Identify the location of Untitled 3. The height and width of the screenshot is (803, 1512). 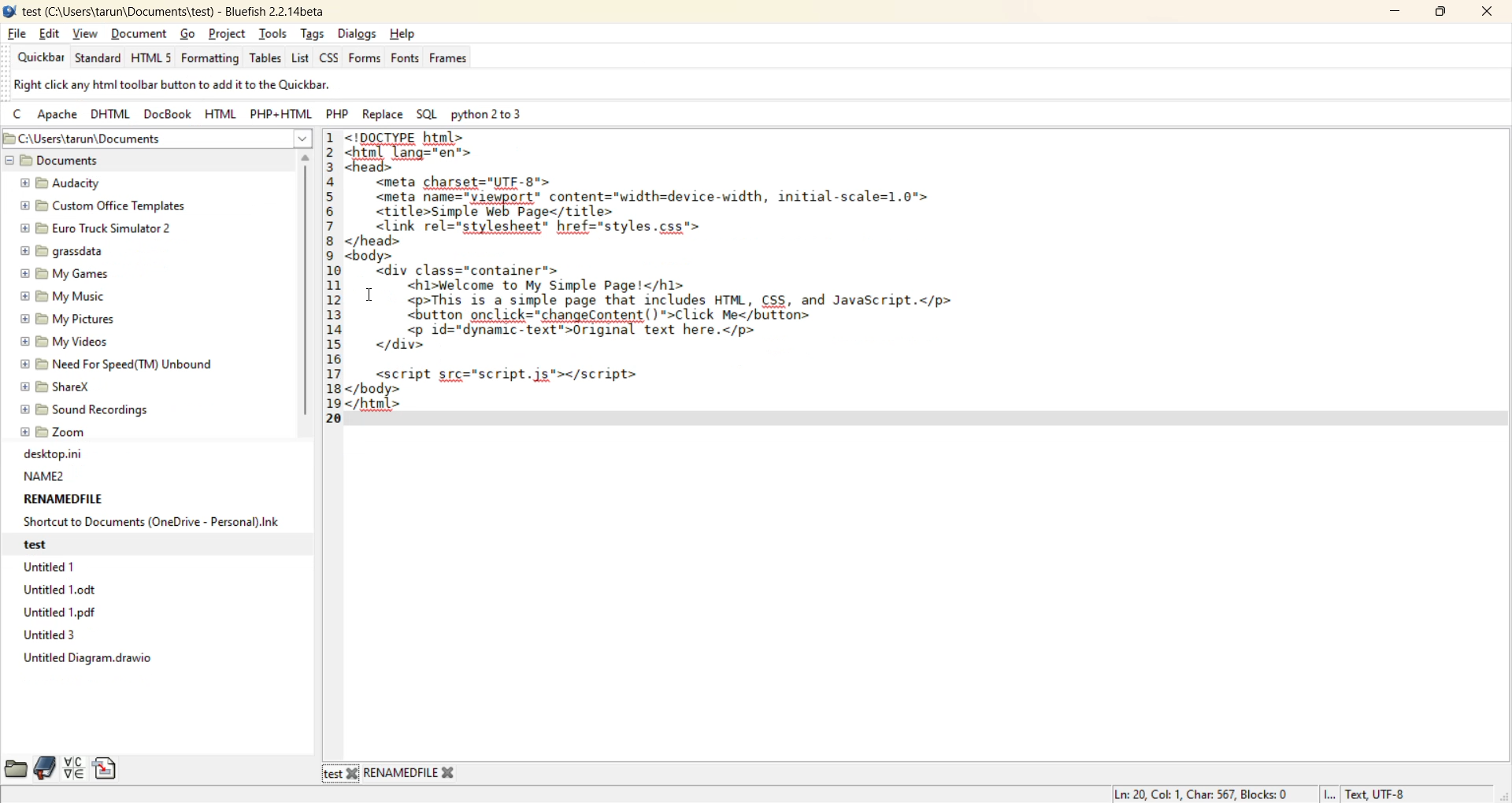
(49, 636).